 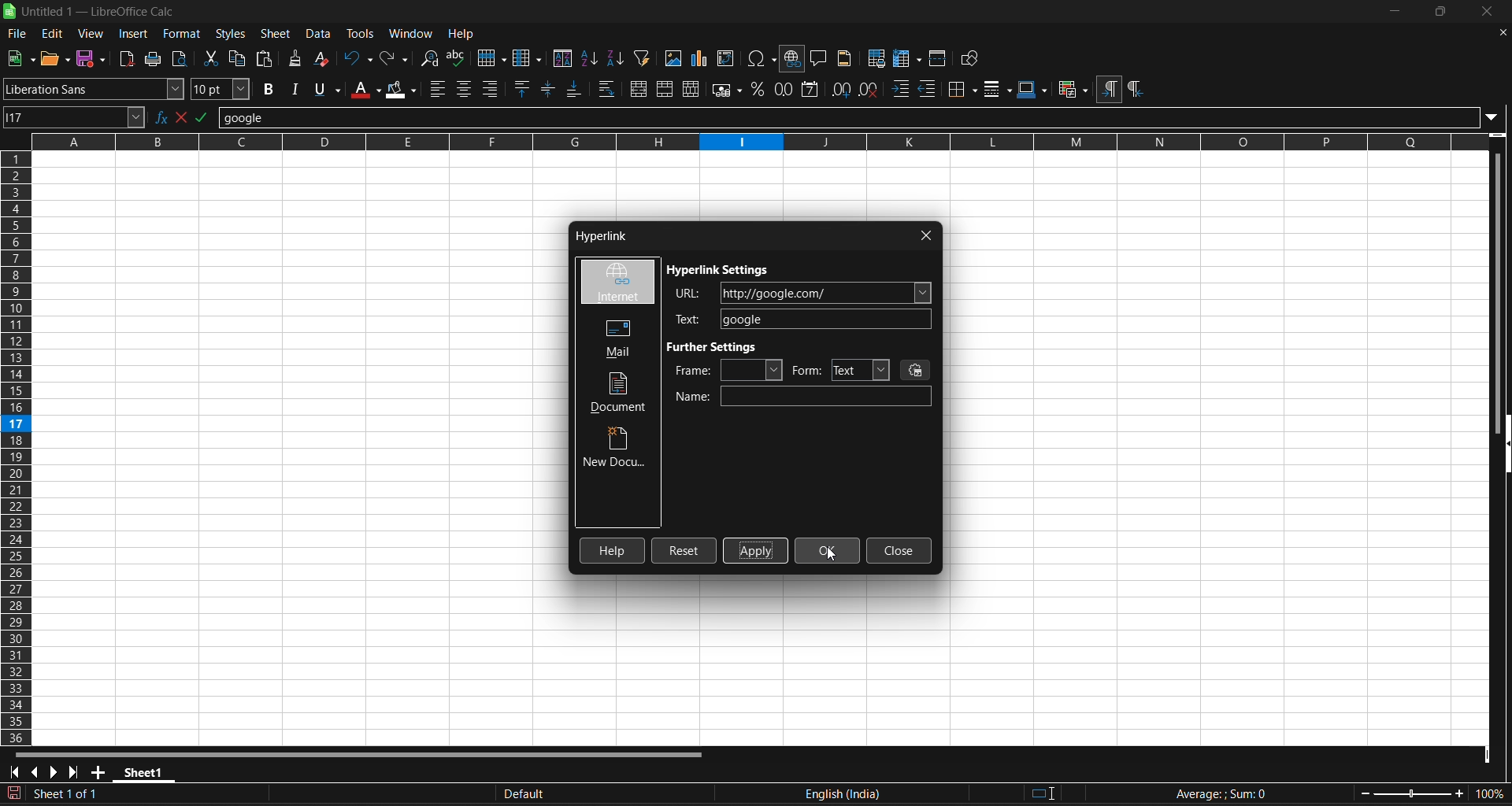 I want to click on clone formating, so click(x=295, y=59).